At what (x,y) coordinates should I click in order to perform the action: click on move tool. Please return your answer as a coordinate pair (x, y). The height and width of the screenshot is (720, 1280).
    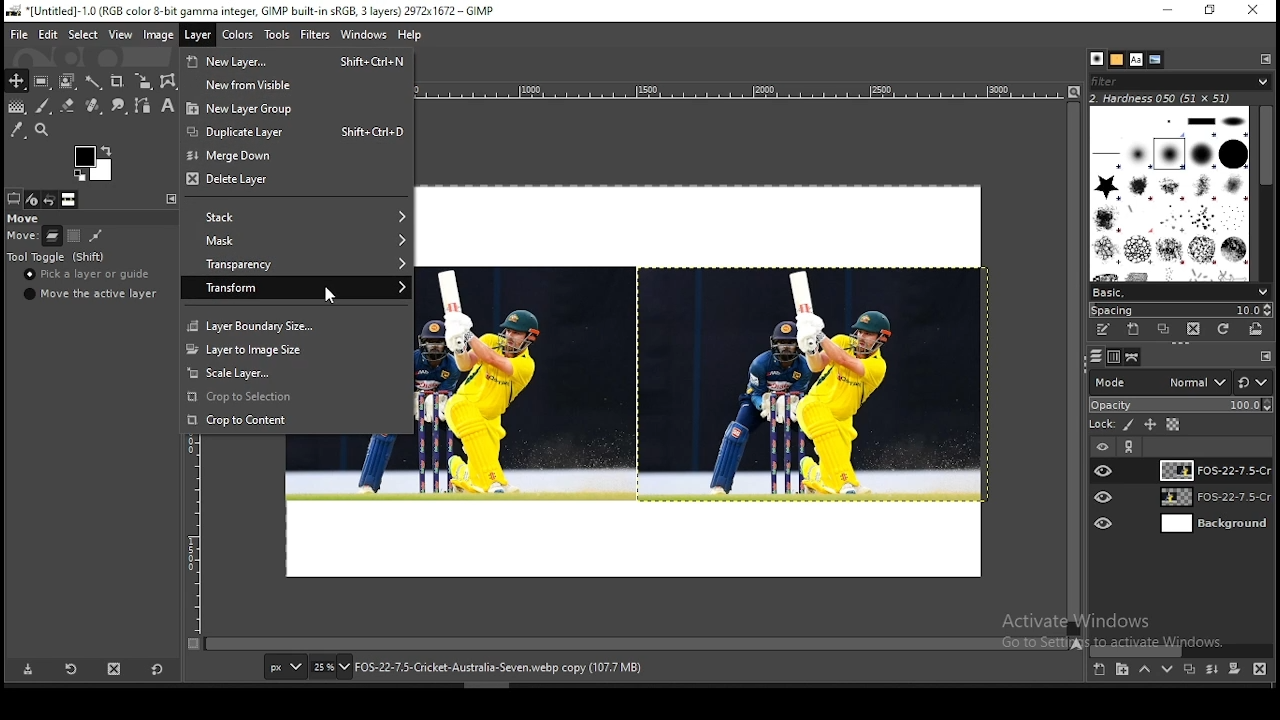
    Looking at the image, I should click on (16, 81).